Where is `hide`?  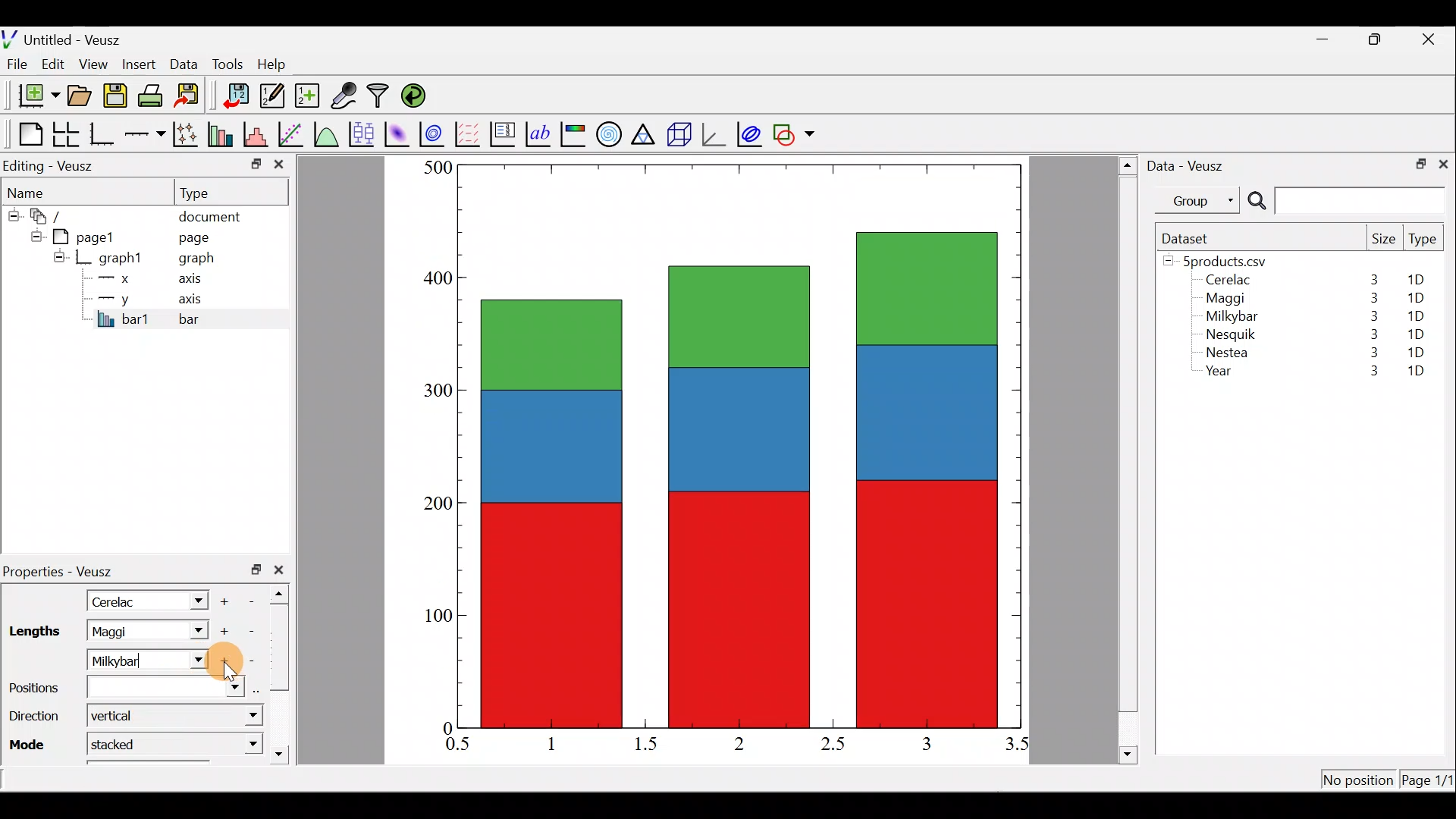 hide is located at coordinates (33, 234).